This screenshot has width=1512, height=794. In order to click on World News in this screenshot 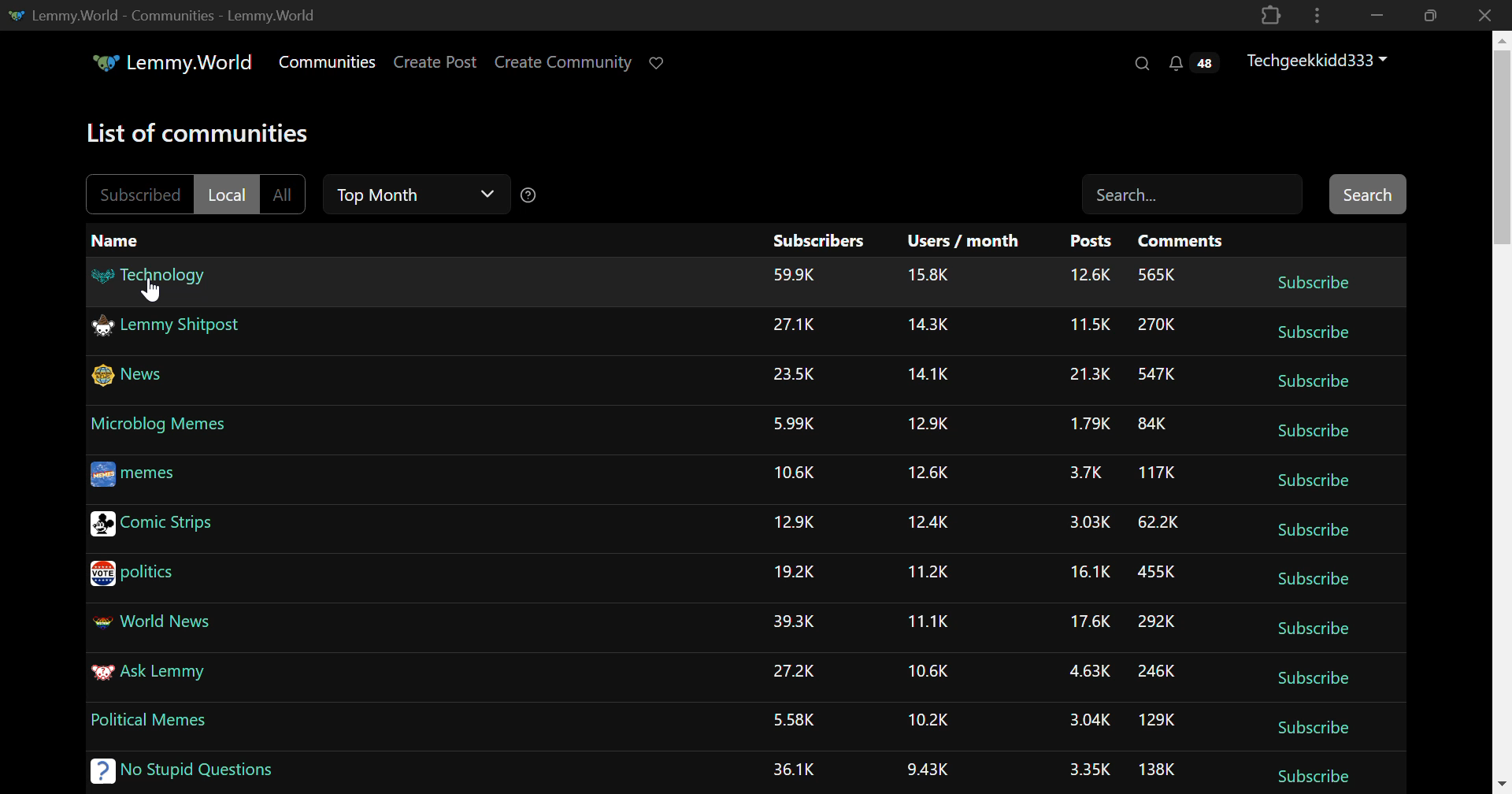, I will do `click(155, 618)`.